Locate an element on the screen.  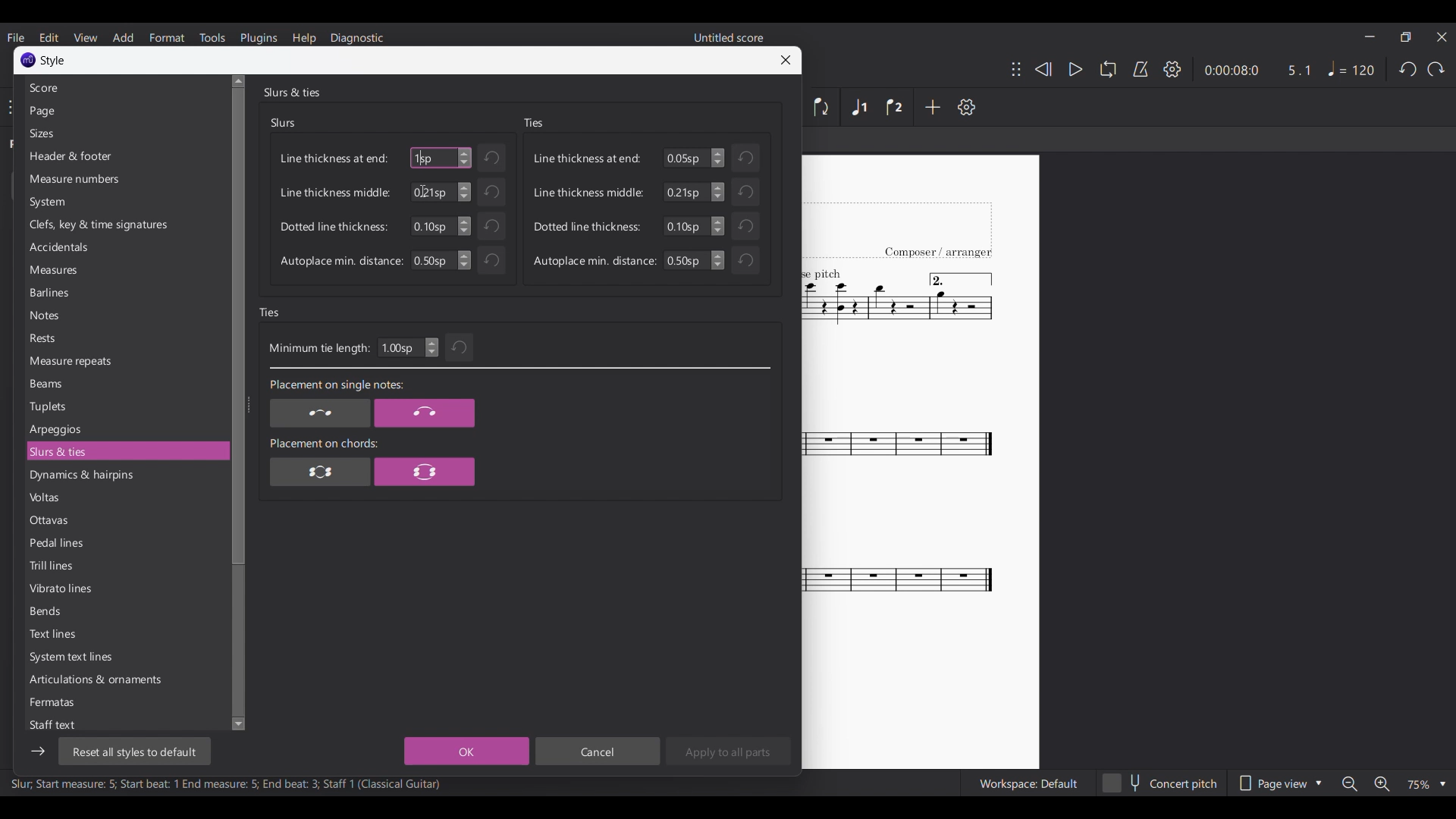
Increase/Decrease line thickness at end is located at coordinates (465, 158).